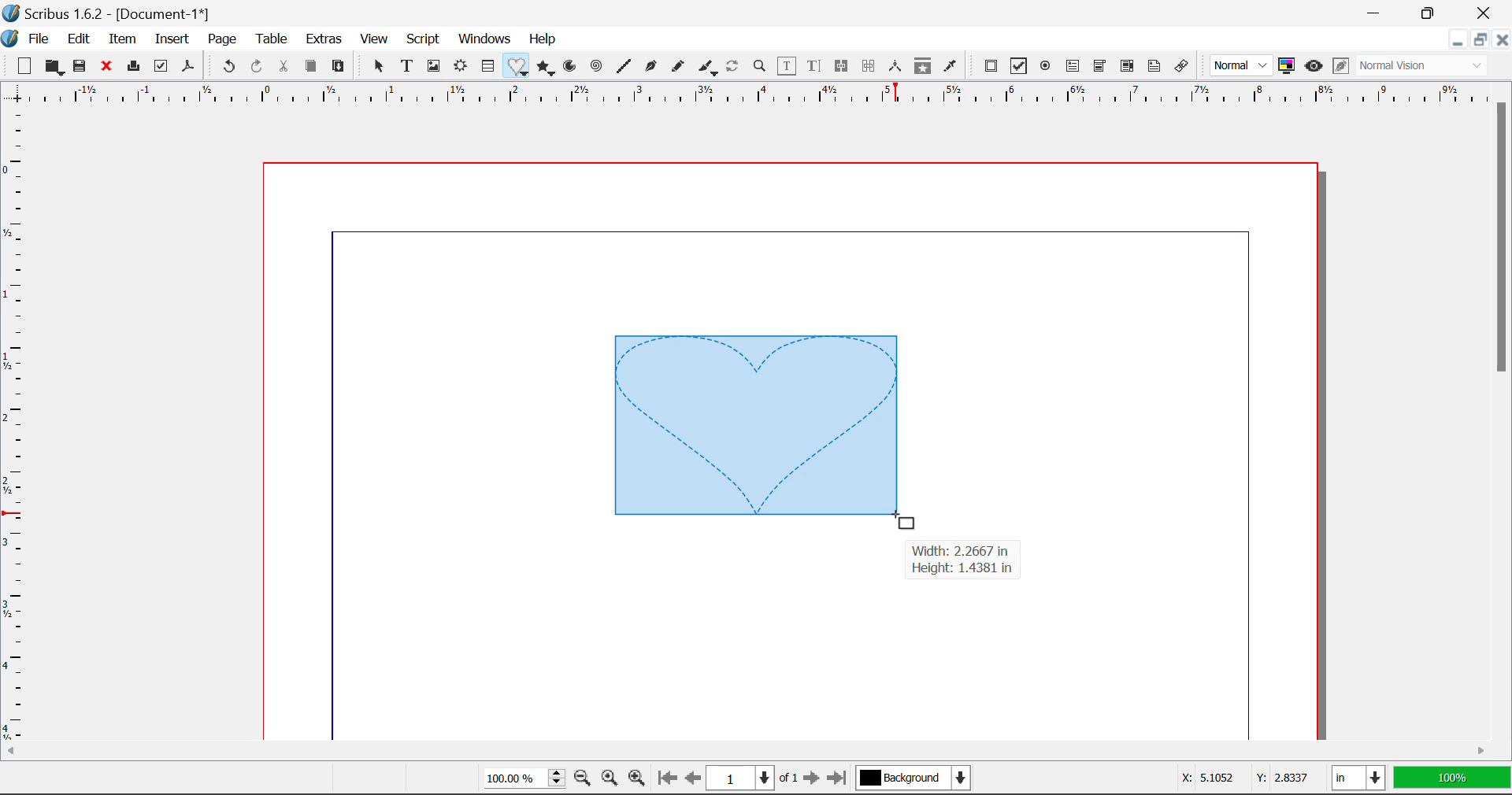 The width and height of the screenshot is (1512, 795). Describe the element at coordinates (1459, 42) in the screenshot. I see `Restore Down` at that location.